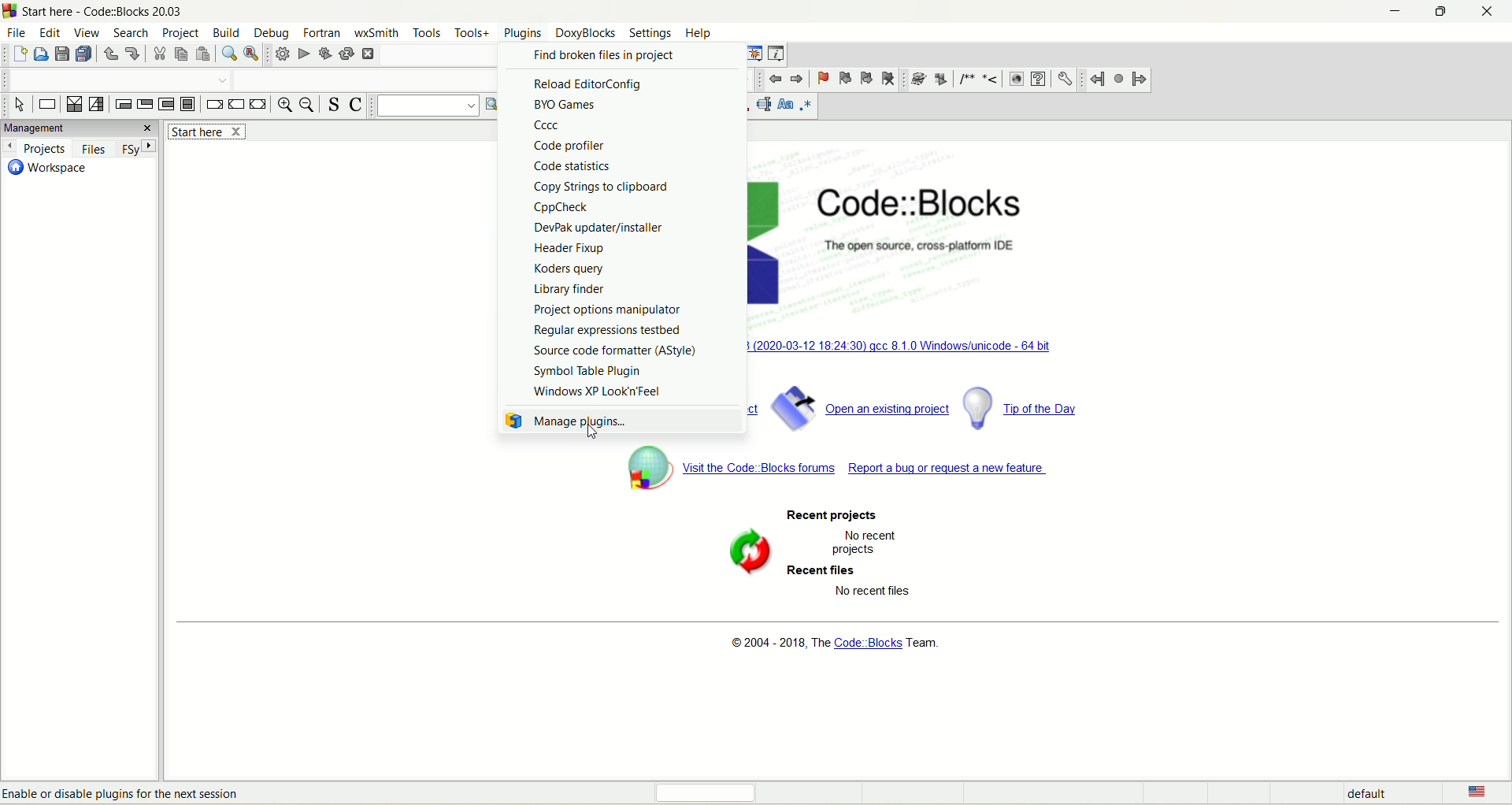 The width and height of the screenshot is (1512, 805). What do you see at coordinates (573, 147) in the screenshot?
I see `code profiler` at bounding box center [573, 147].